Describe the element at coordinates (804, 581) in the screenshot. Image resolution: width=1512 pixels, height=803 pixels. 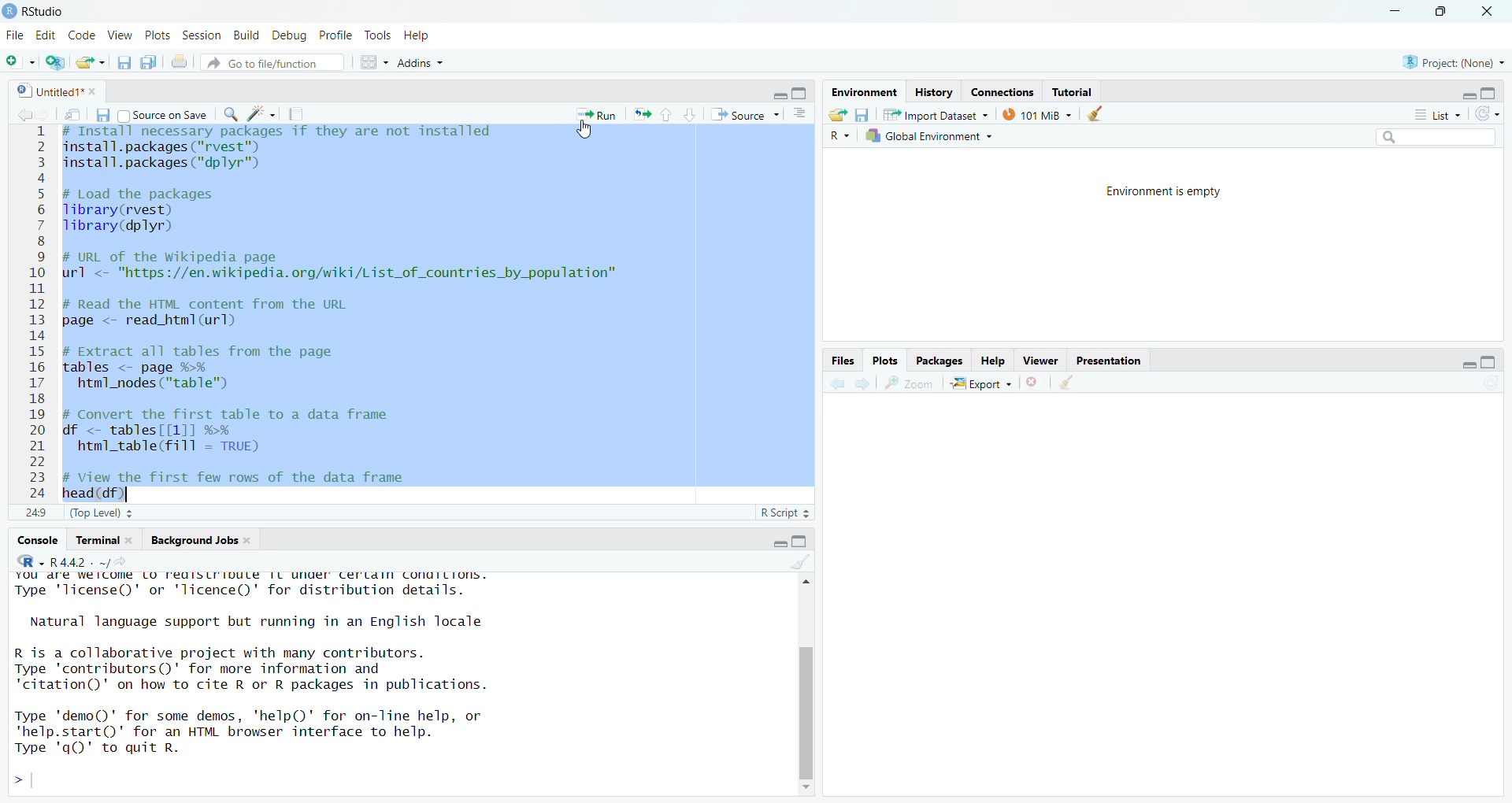
I see `scroll up` at that location.